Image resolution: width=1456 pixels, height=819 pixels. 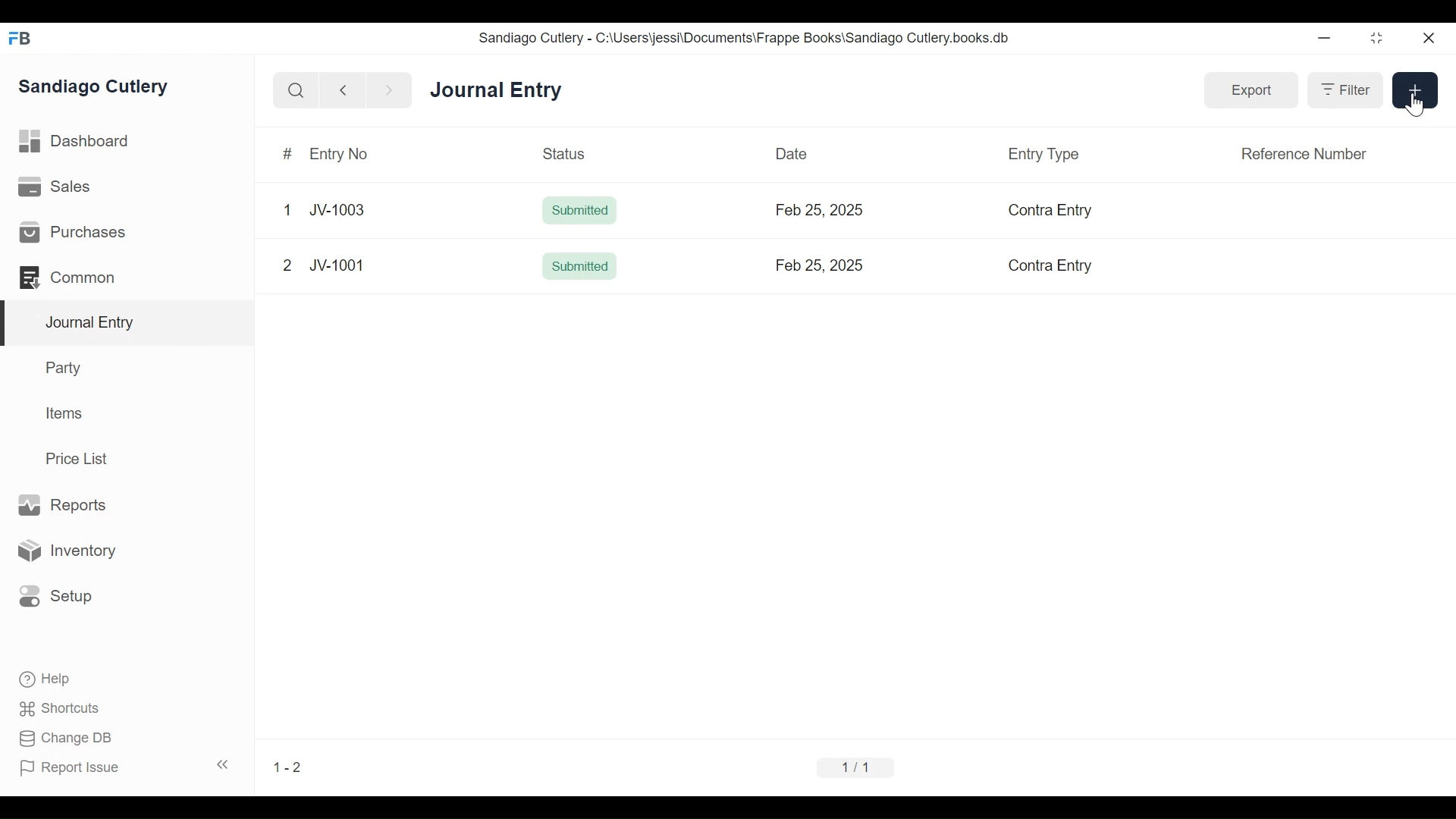 What do you see at coordinates (792, 153) in the screenshot?
I see `Date` at bounding box center [792, 153].